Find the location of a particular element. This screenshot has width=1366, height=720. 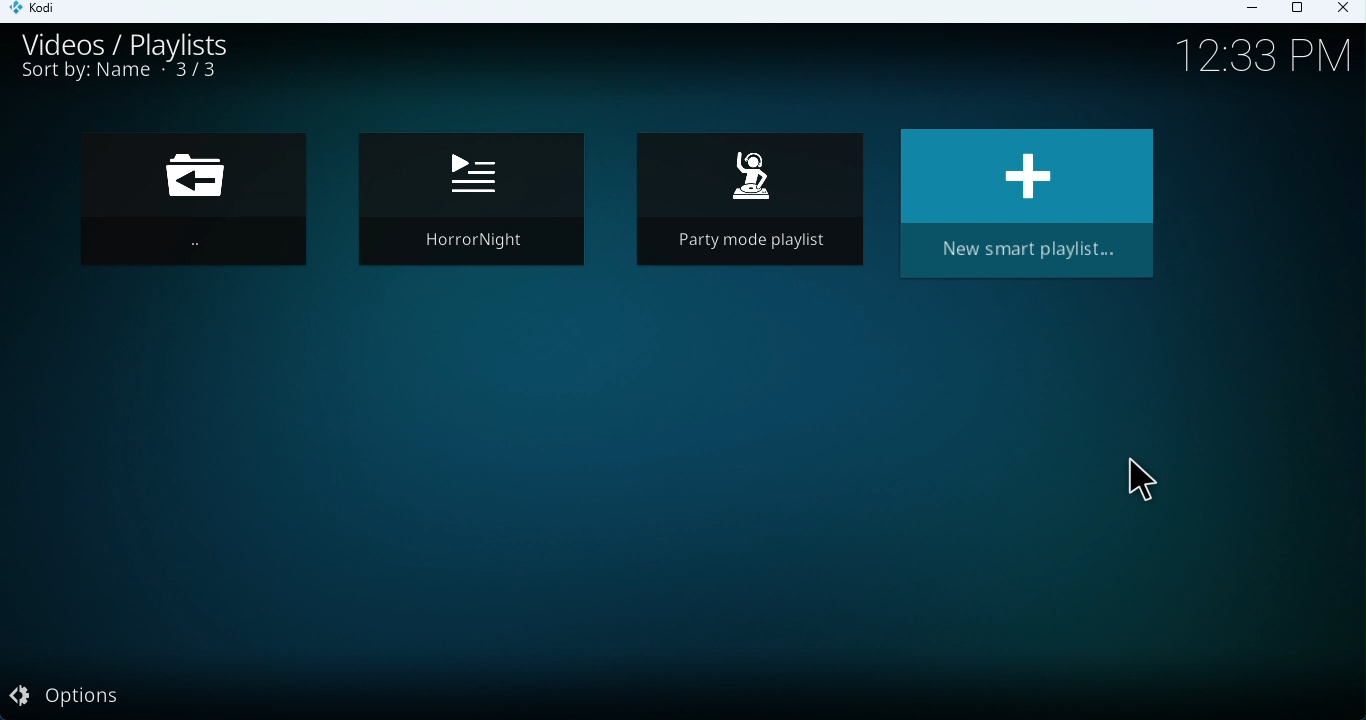

Videos/playlists is located at coordinates (145, 43).